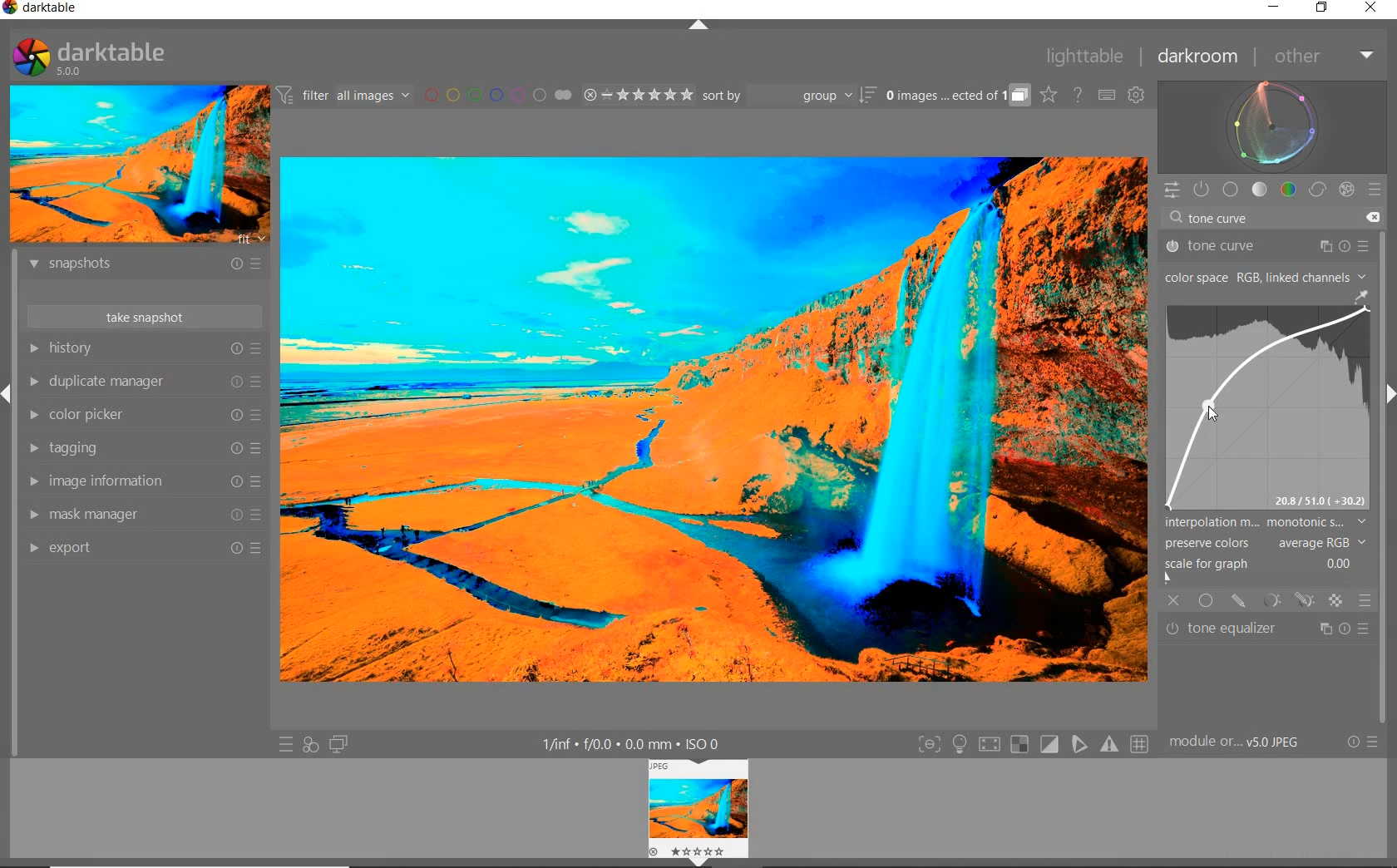 This screenshot has height=868, width=1397. What do you see at coordinates (1267, 220) in the screenshot?
I see `tone curve` at bounding box center [1267, 220].